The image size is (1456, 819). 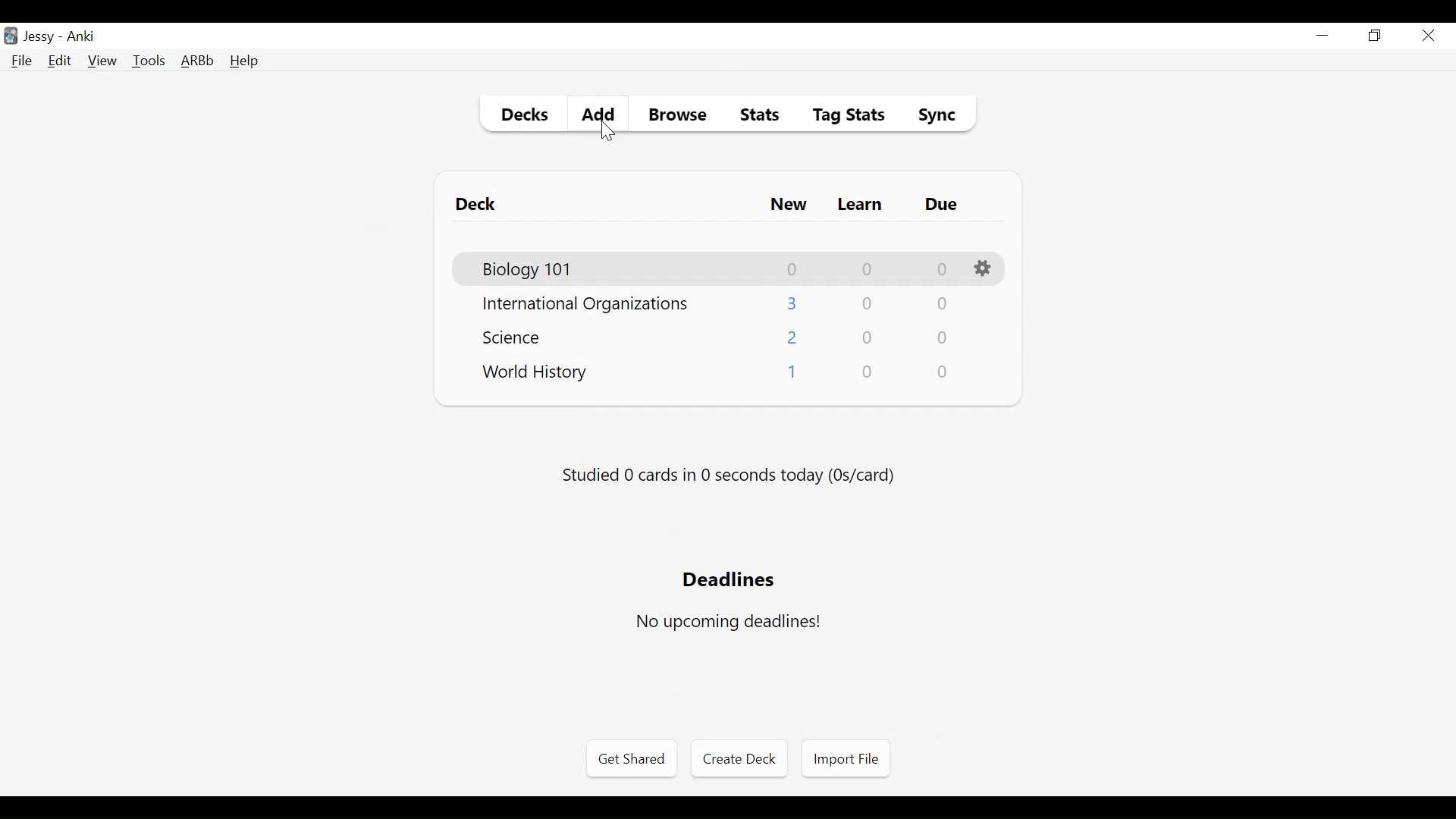 I want to click on Due Card Count, so click(x=943, y=339).